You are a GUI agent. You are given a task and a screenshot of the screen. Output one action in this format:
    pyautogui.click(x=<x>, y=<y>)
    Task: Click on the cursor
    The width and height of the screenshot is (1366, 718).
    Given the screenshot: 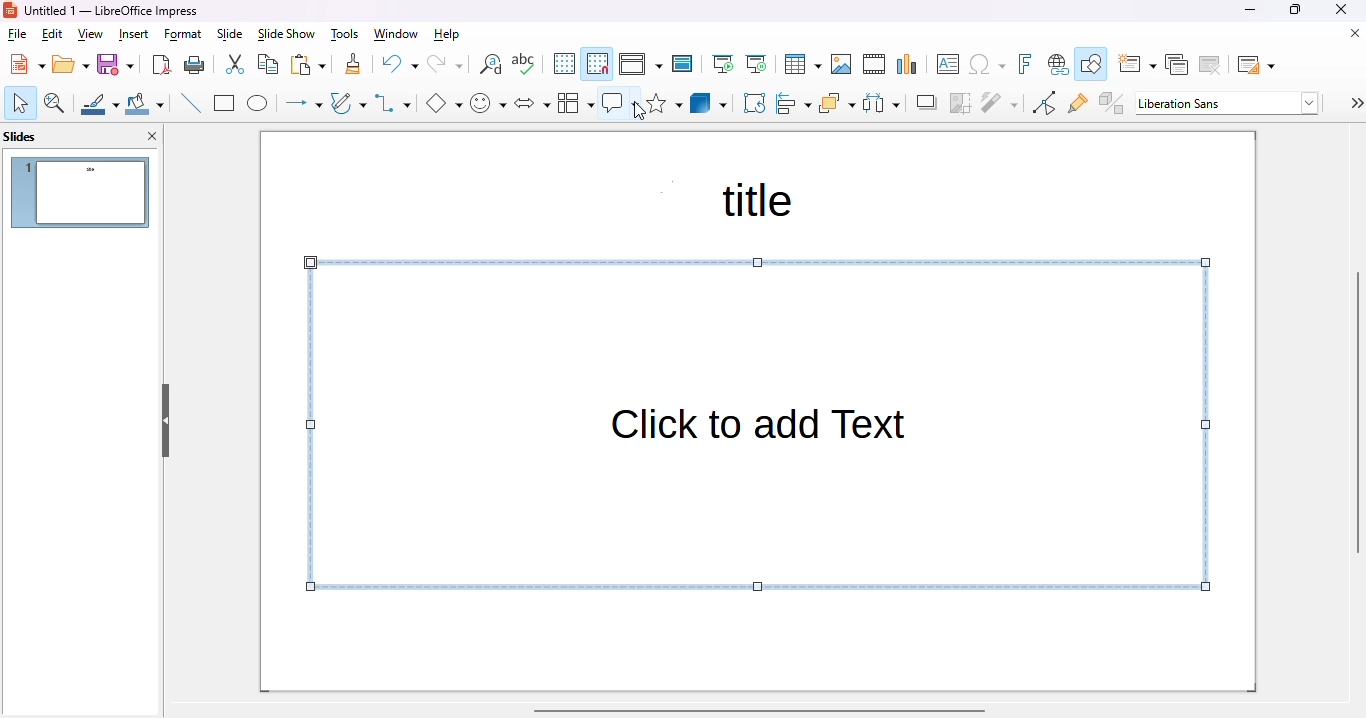 What is the action you would take?
    pyautogui.click(x=640, y=111)
    